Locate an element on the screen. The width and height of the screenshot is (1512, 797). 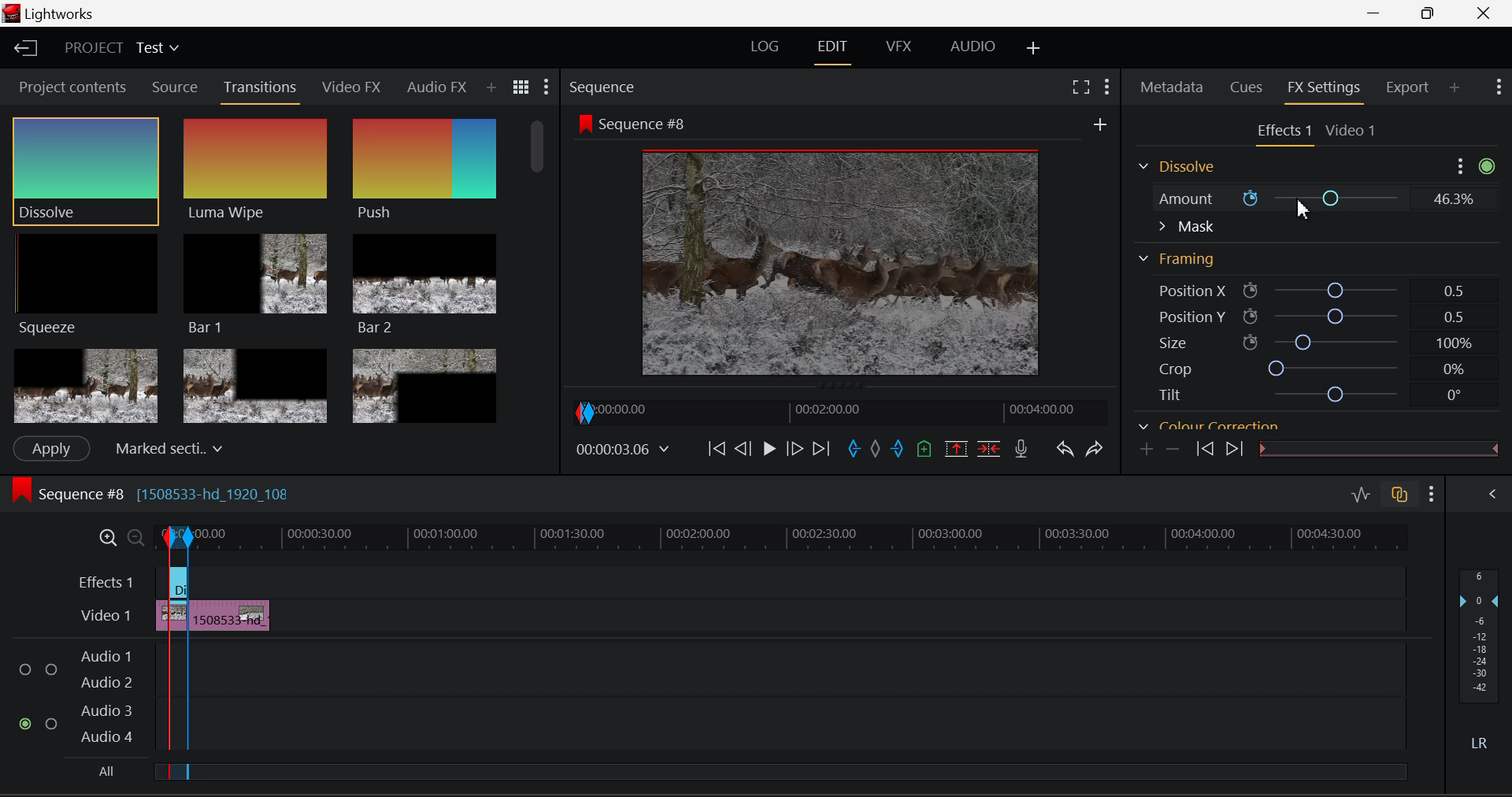
Sequence #8 Editing Section is located at coordinates (198, 496).